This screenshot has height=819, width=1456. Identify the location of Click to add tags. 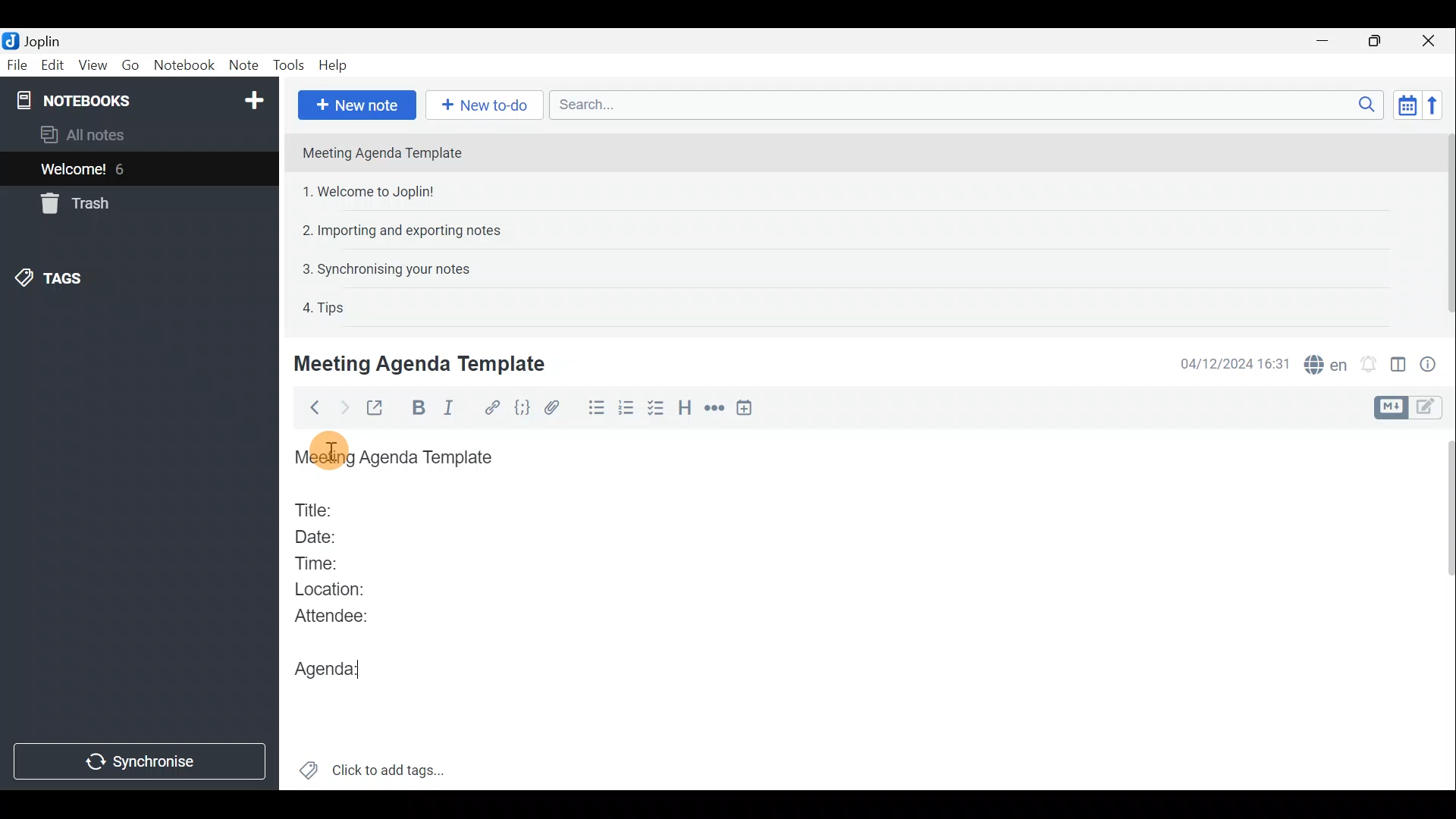
(393, 767).